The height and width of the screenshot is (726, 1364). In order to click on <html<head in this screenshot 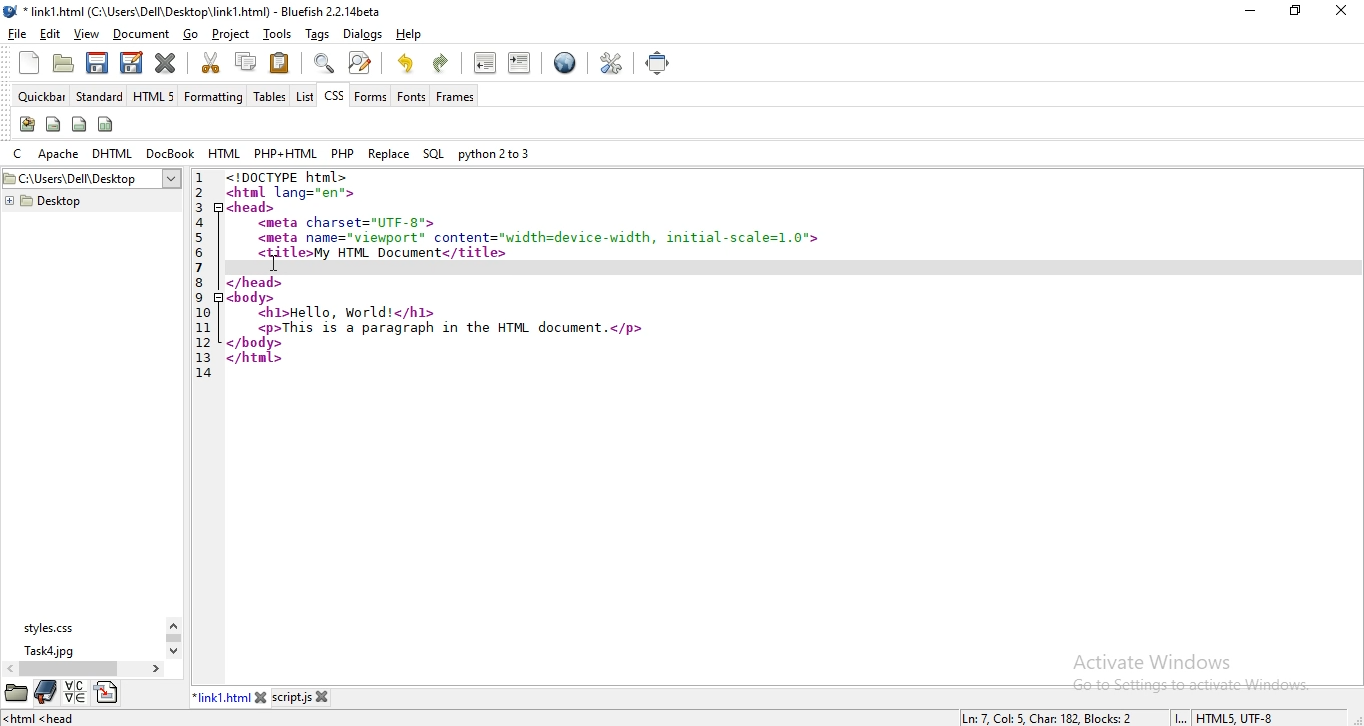, I will do `click(38, 717)`.